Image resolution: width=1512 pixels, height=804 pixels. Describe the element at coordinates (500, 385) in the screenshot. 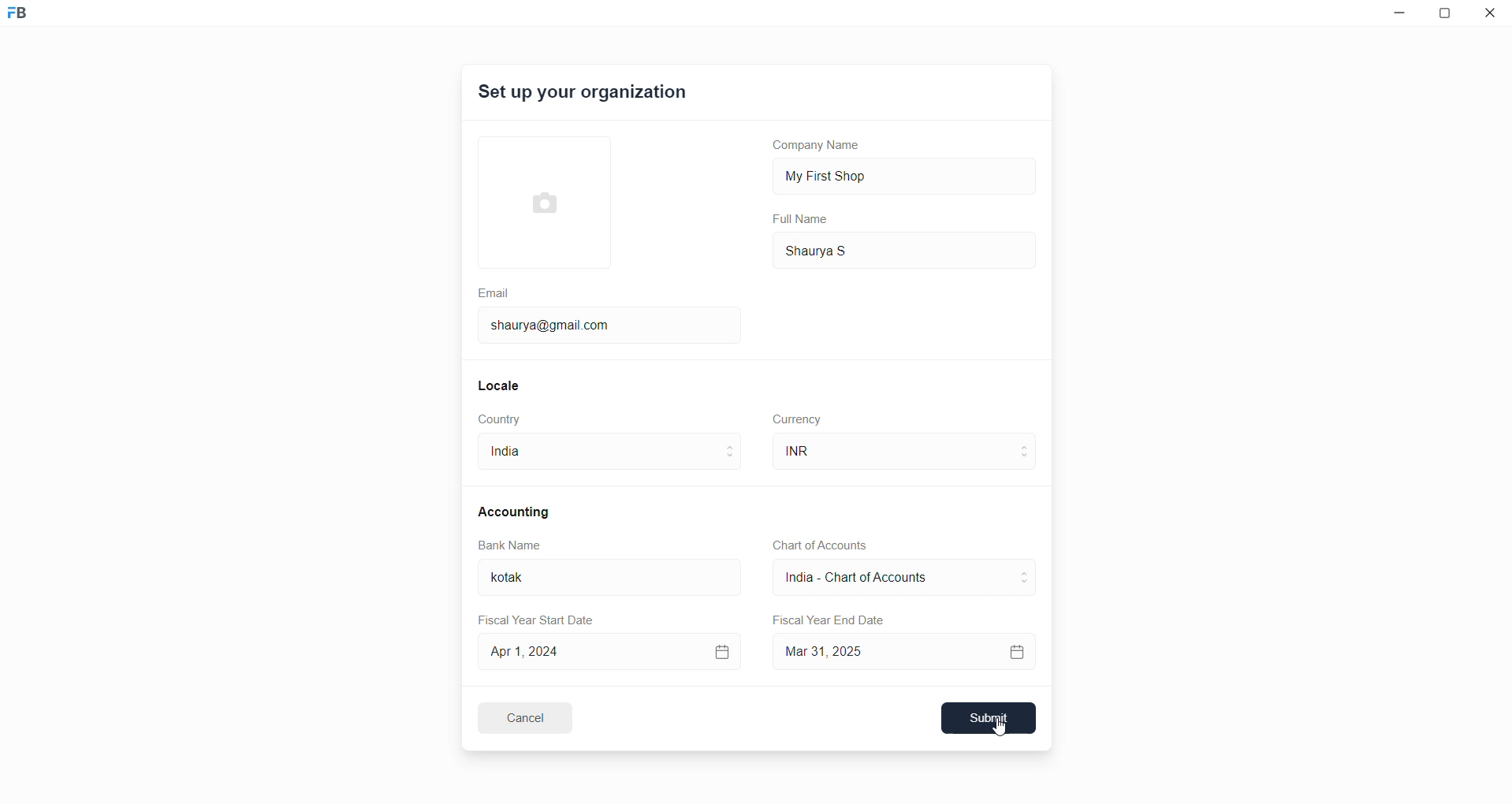

I see `Locale` at that location.